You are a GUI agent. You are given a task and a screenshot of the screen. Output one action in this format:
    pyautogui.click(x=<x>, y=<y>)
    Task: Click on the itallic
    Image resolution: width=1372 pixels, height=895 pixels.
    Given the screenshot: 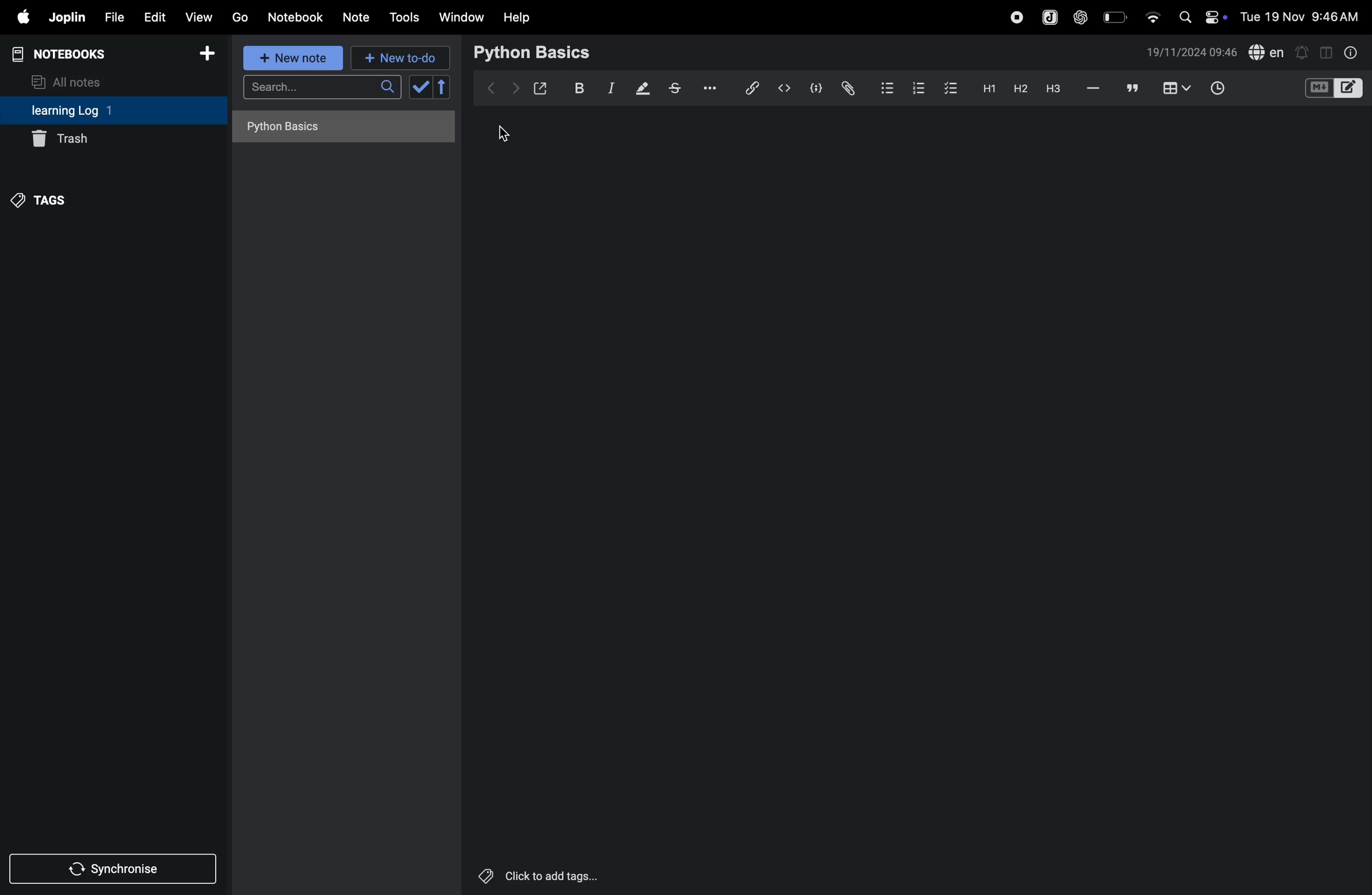 What is the action you would take?
    pyautogui.click(x=609, y=89)
    